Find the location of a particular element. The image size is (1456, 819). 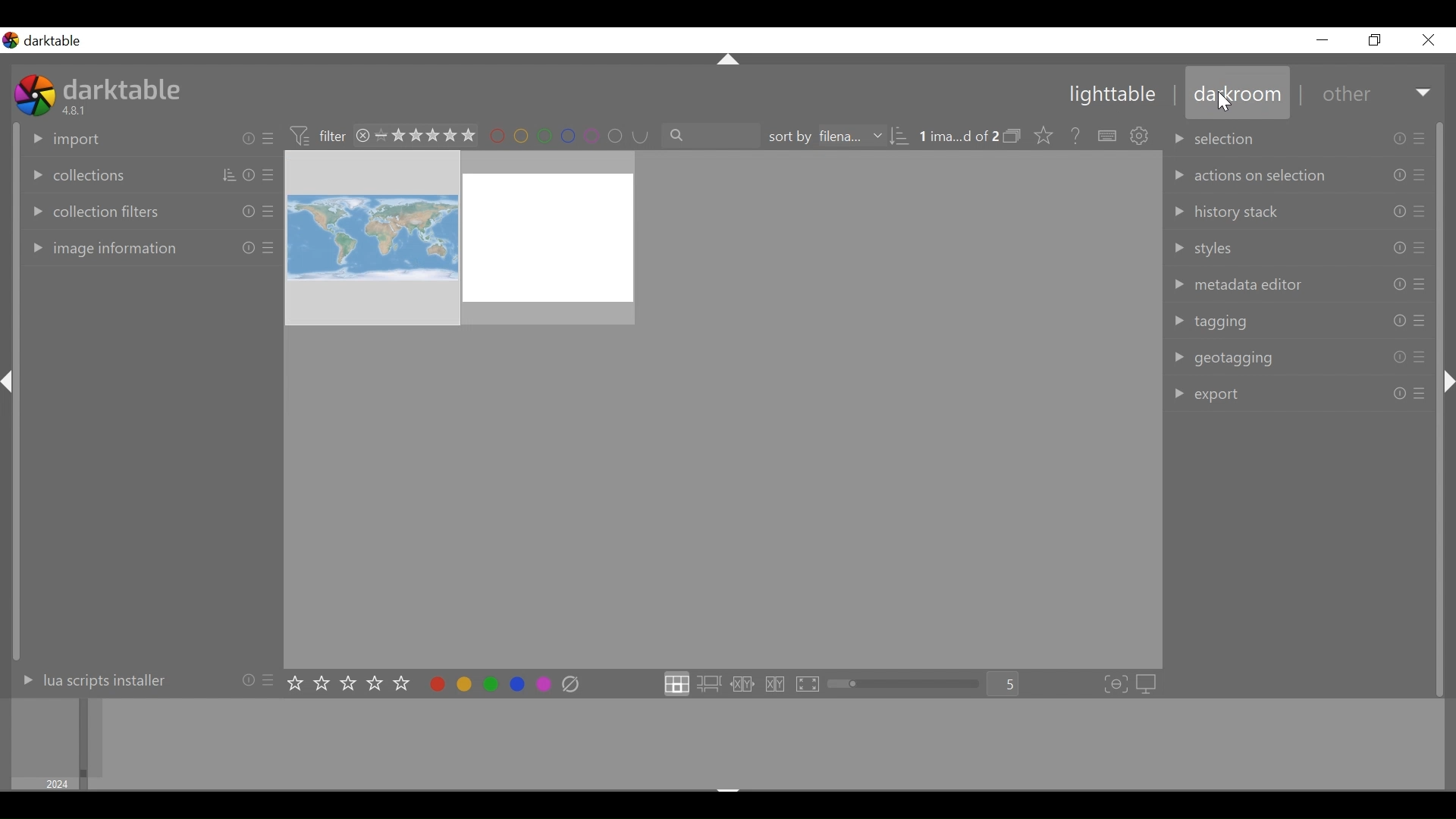

click to enter culling layout in dynamic mode is located at coordinates (776, 685).